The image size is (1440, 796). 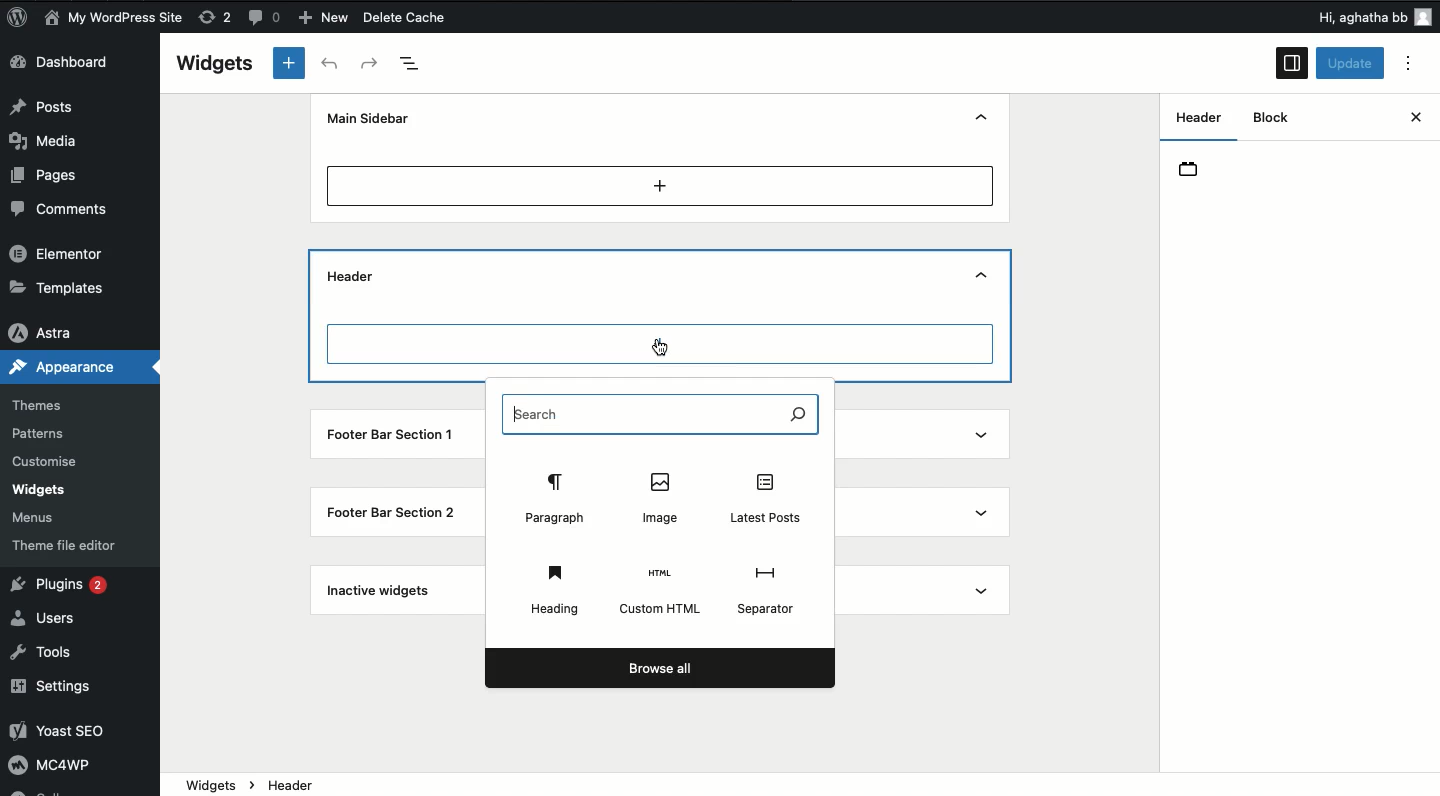 What do you see at coordinates (800, 785) in the screenshot?
I see `widgets` at bounding box center [800, 785].